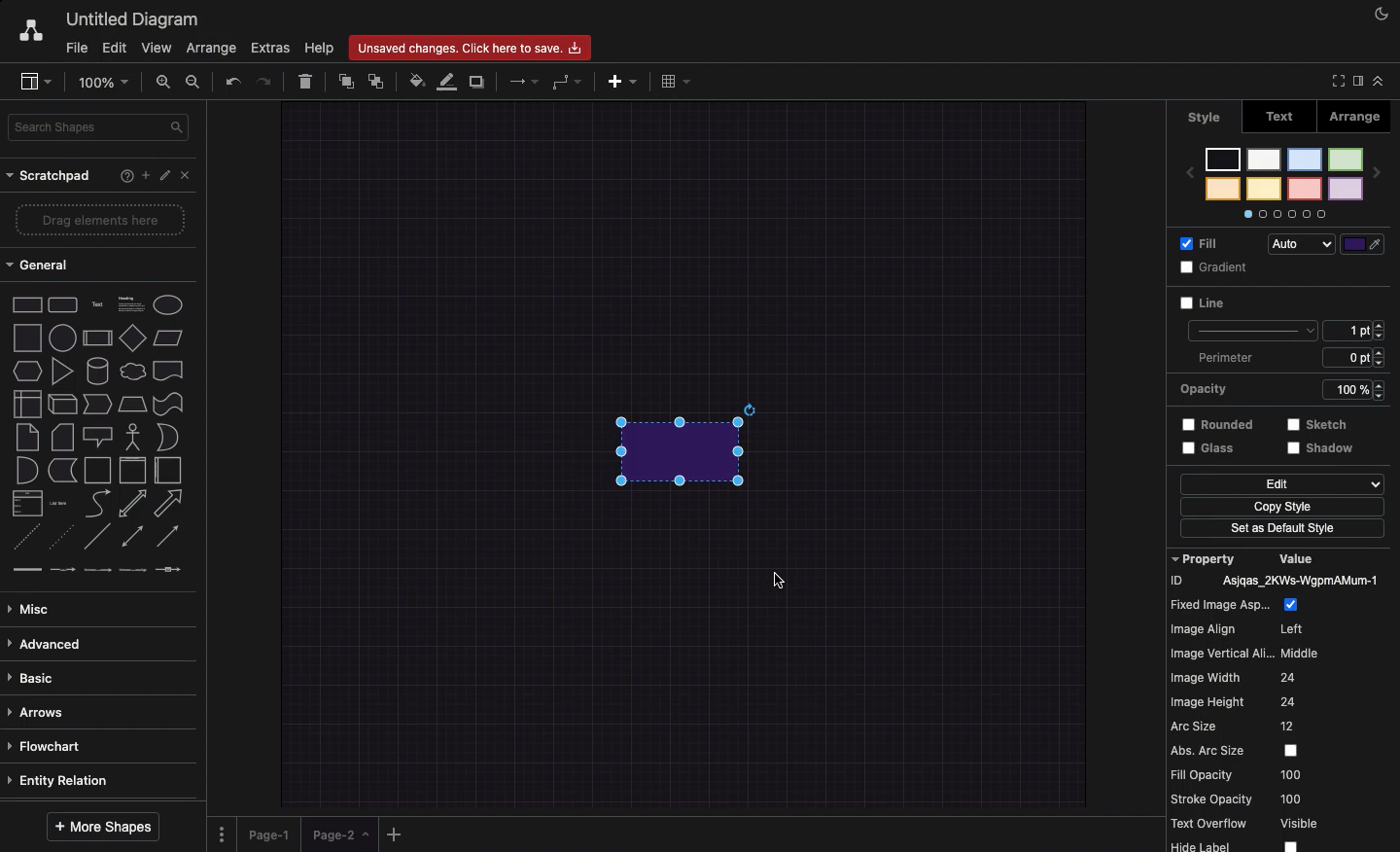  What do you see at coordinates (679, 445) in the screenshot?
I see `Added rectangle` at bounding box center [679, 445].